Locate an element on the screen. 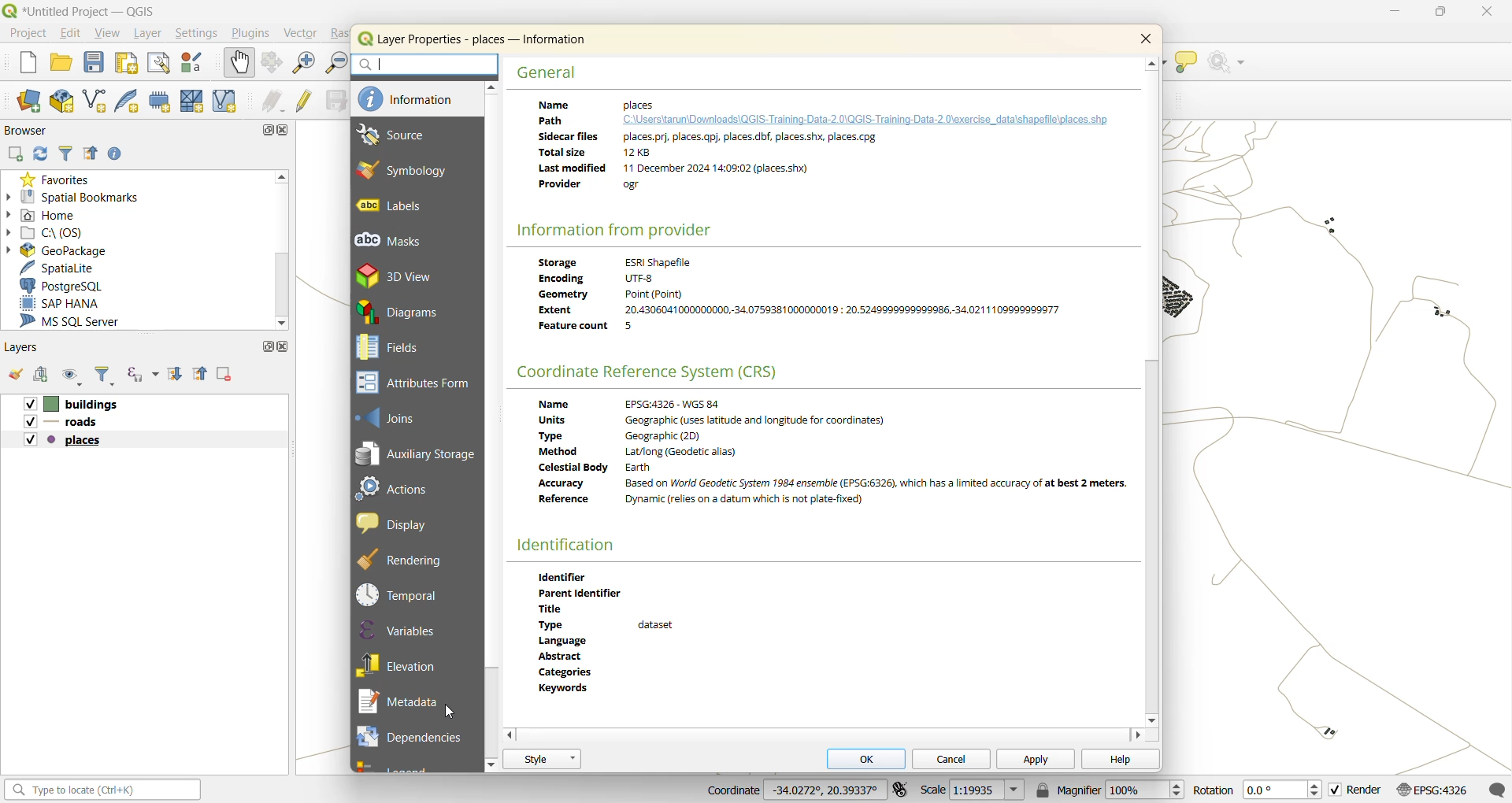 The image size is (1512, 803). zoom out is located at coordinates (335, 61).